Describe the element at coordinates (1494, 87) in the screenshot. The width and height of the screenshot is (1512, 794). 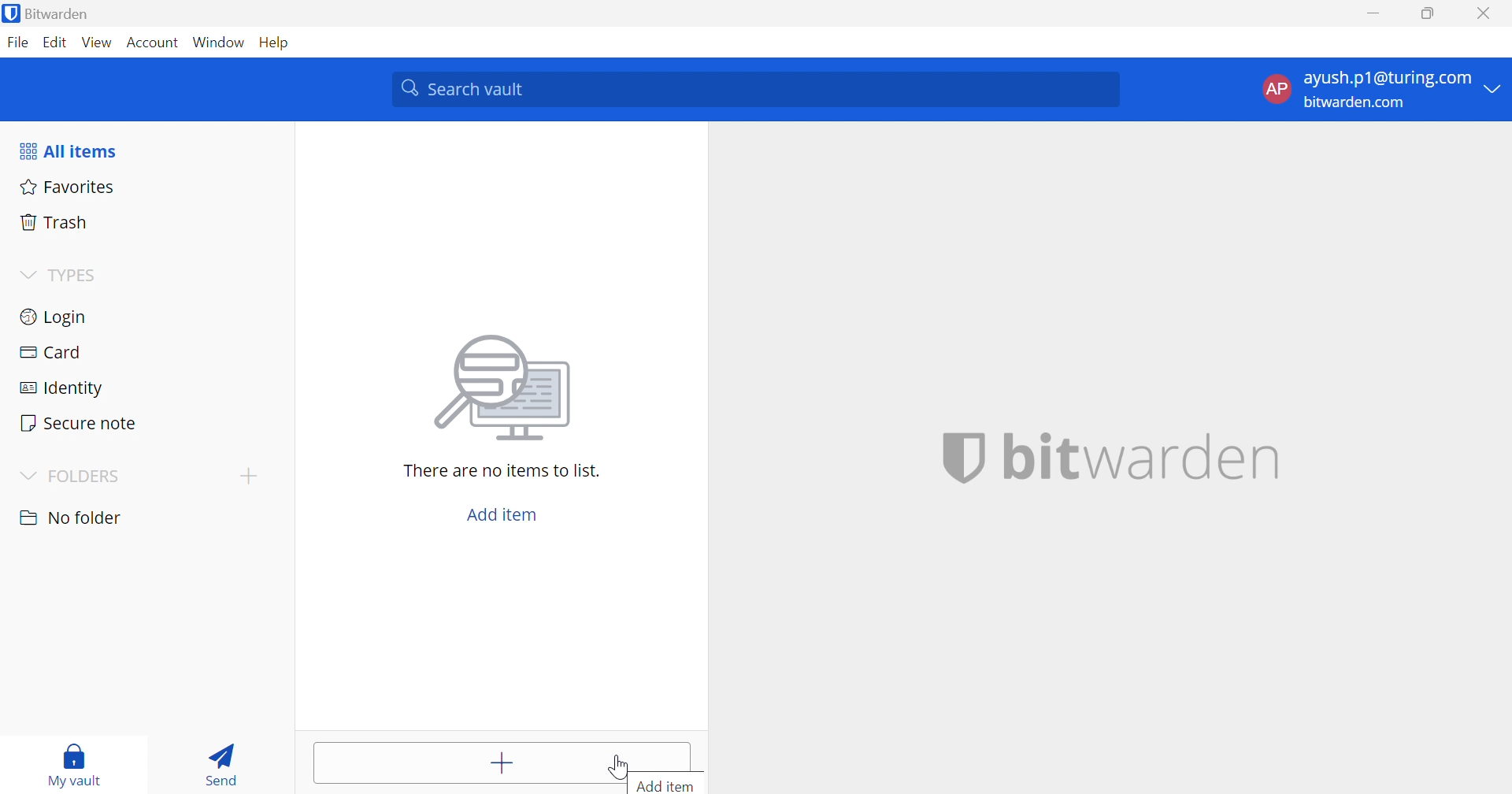
I see `Drop Down` at that location.